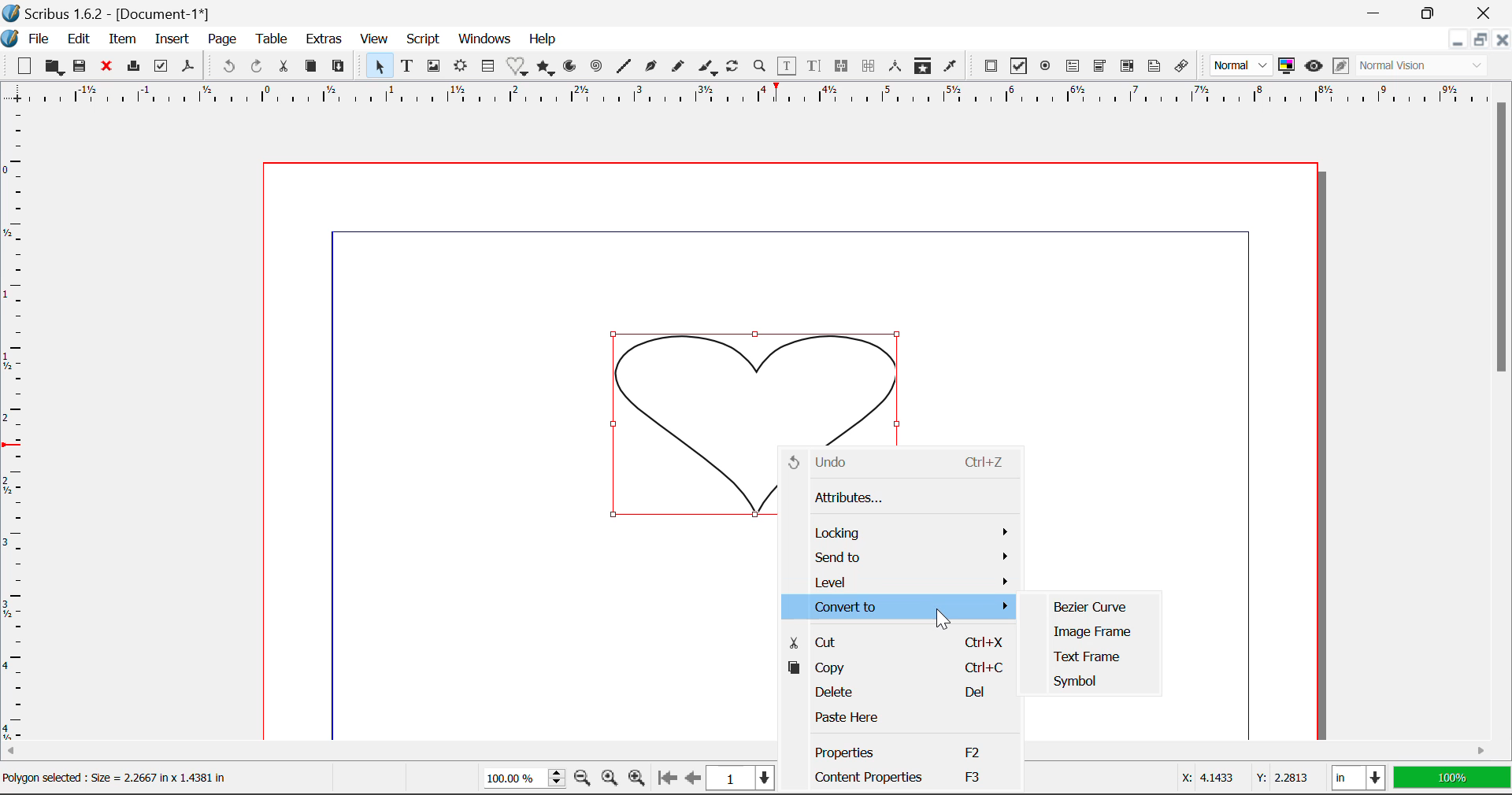 This screenshot has height=795, width=1512. What do you see at coordinates (1488, 13) in the screenshot?
I see `Close` at bounding box center [1488, 13].